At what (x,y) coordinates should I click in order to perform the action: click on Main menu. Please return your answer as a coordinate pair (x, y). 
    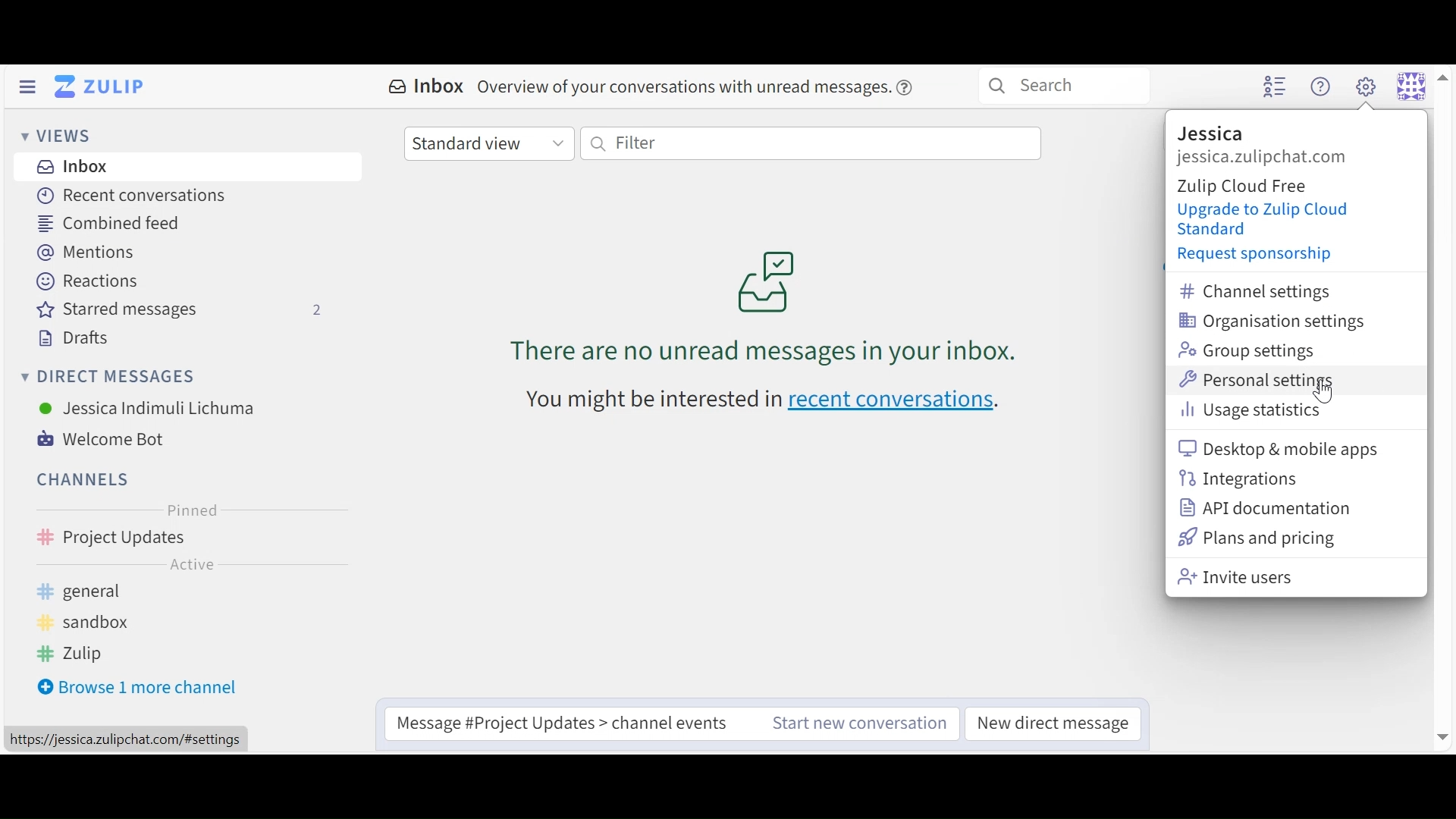
    Looking at the image, I should click on (1323, 88).